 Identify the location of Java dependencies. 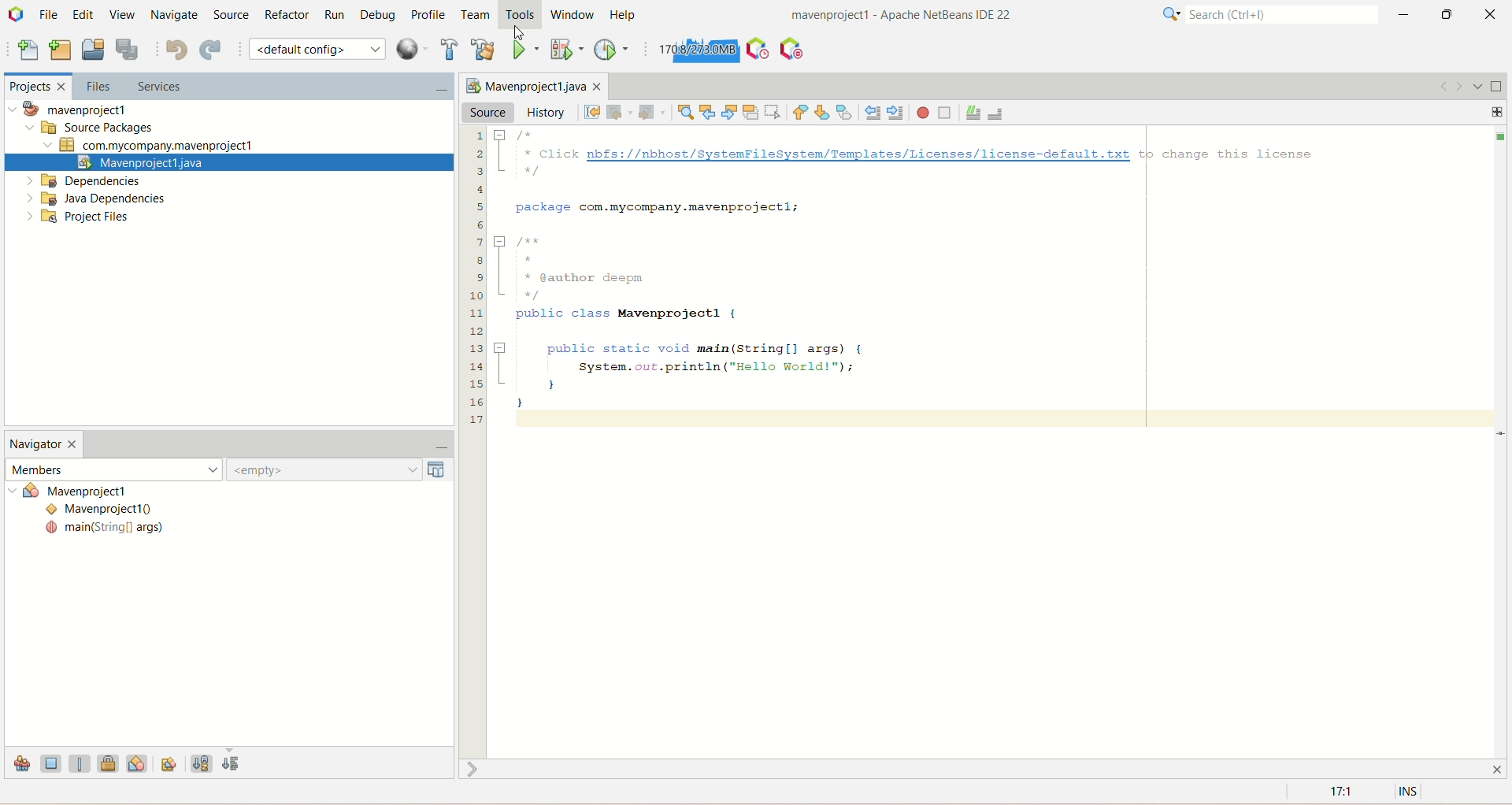
(96, 198).